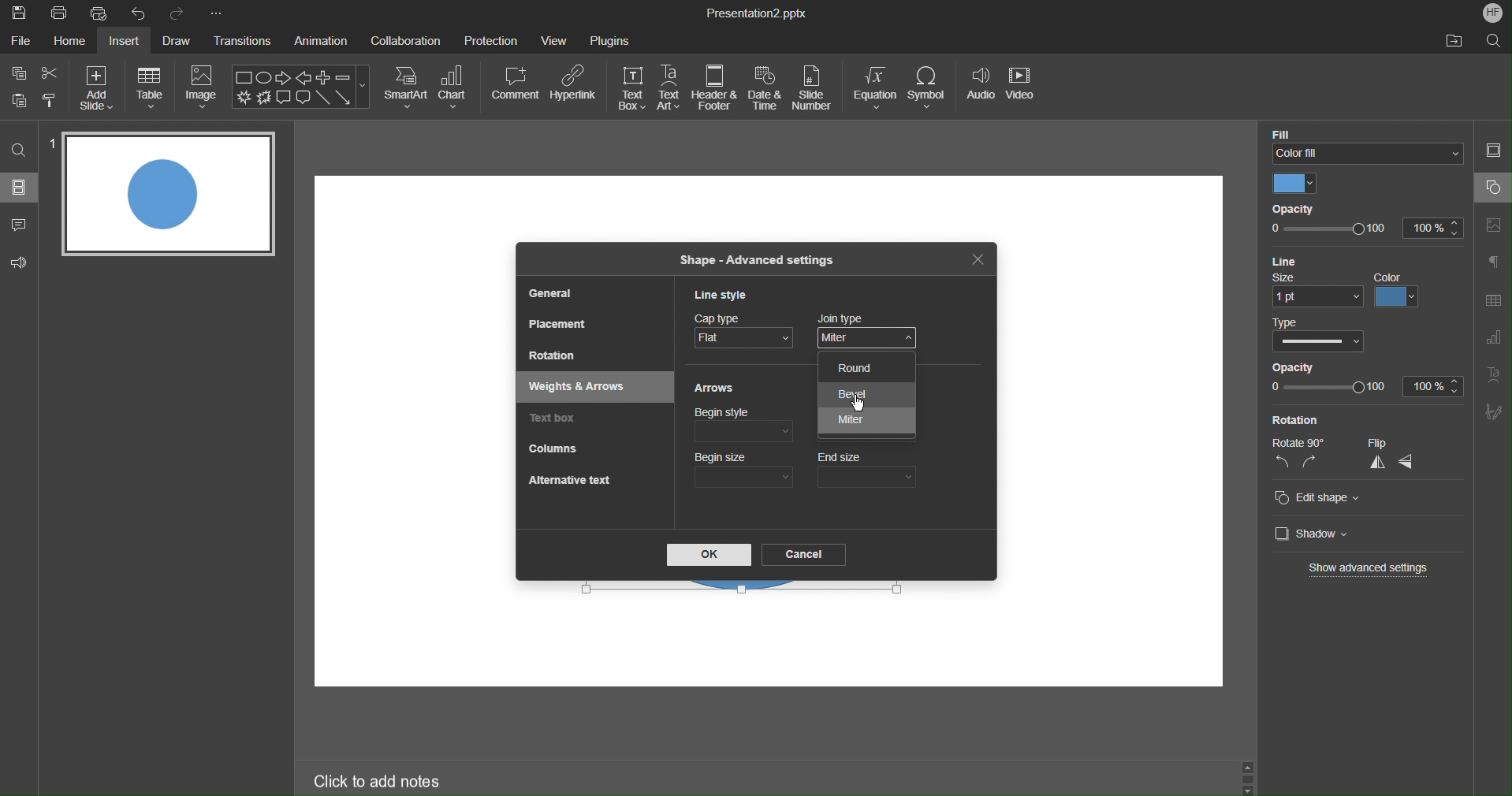 This screenshot has width=1512, height=796. Describe the element at coordinates (866, 344) in the screenshot. I see `mouse pointer` at that location.